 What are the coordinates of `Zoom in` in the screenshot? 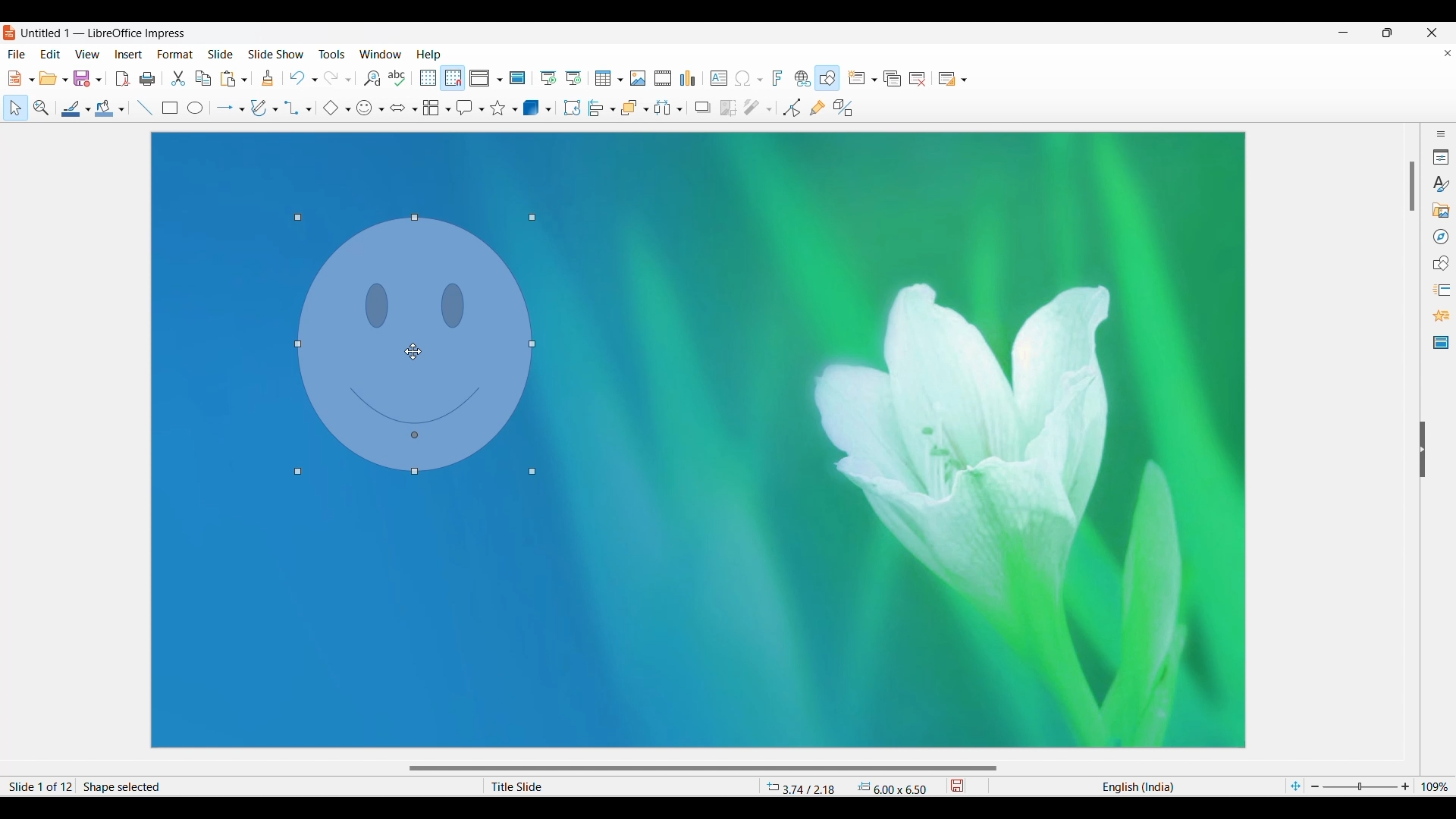 It's located at (1405, 786).